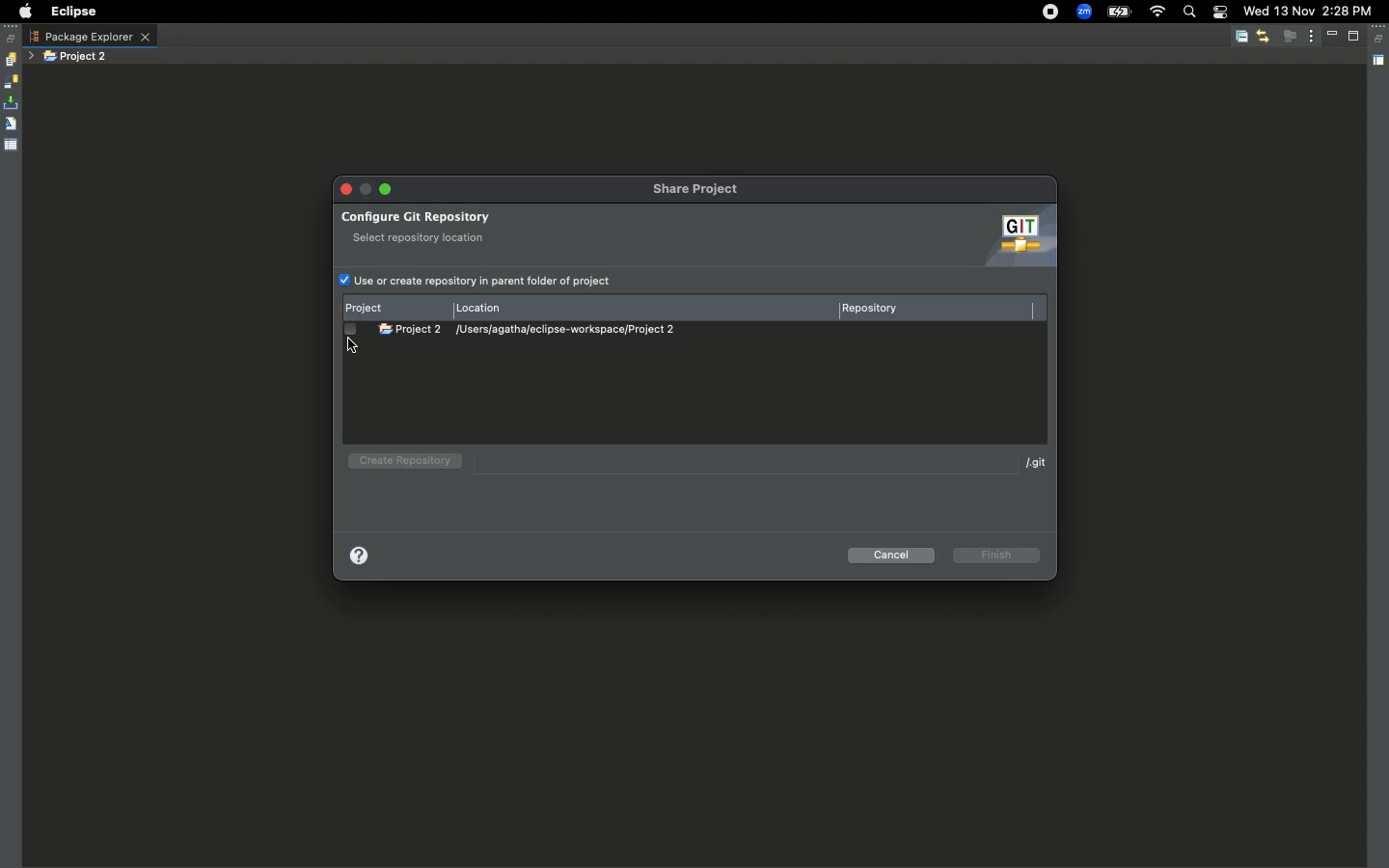 The image size is (1389, 868). Describe the element at coordinates (10, 60) in the screenshot. I see `History` at that location.